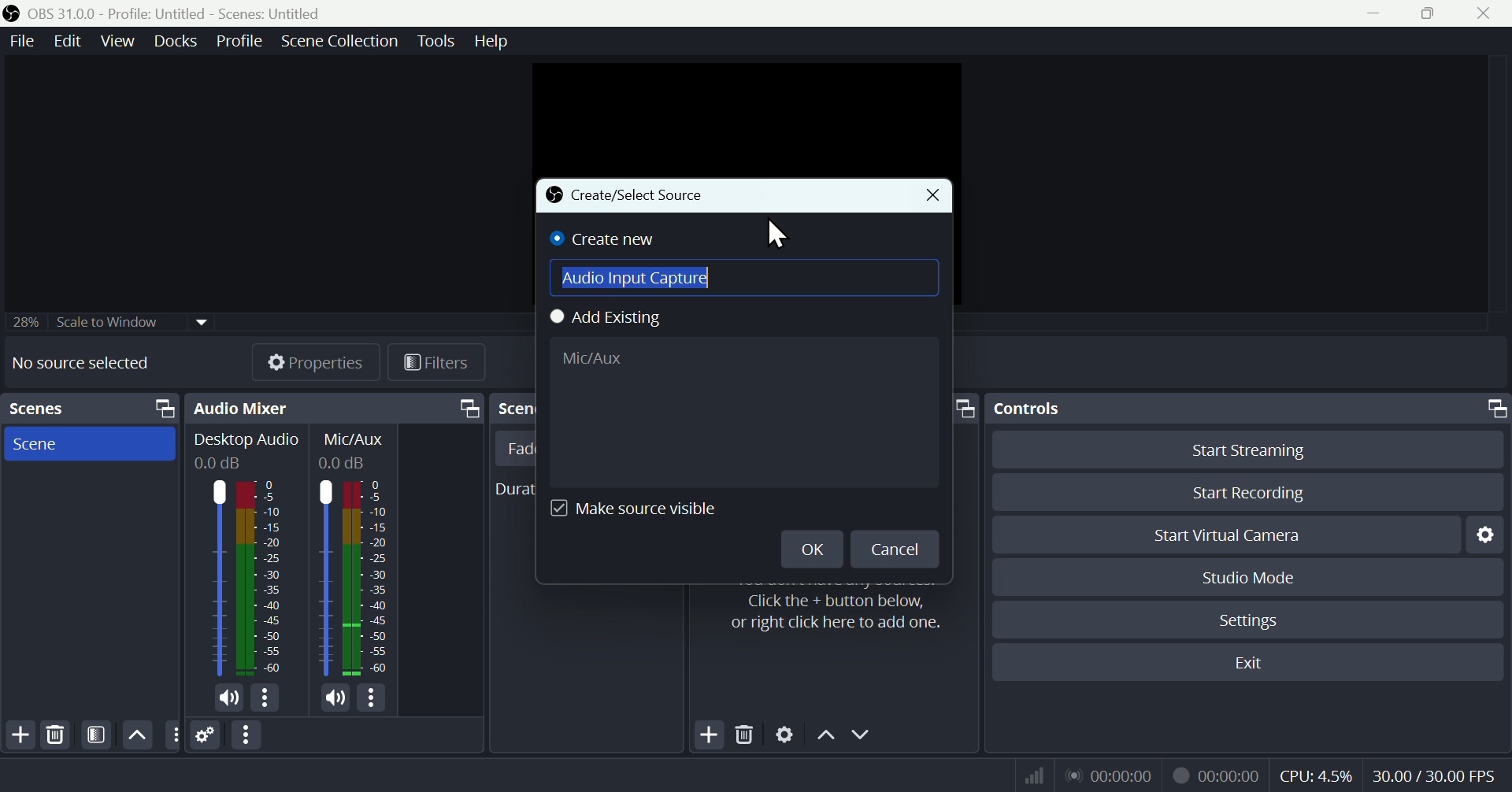 The width and height of the screenshot is (1512, 792). What do you see at coordinates (1250, 577) in the screenshot?
I see `Studio mode` at bounding box center [1250, 577].